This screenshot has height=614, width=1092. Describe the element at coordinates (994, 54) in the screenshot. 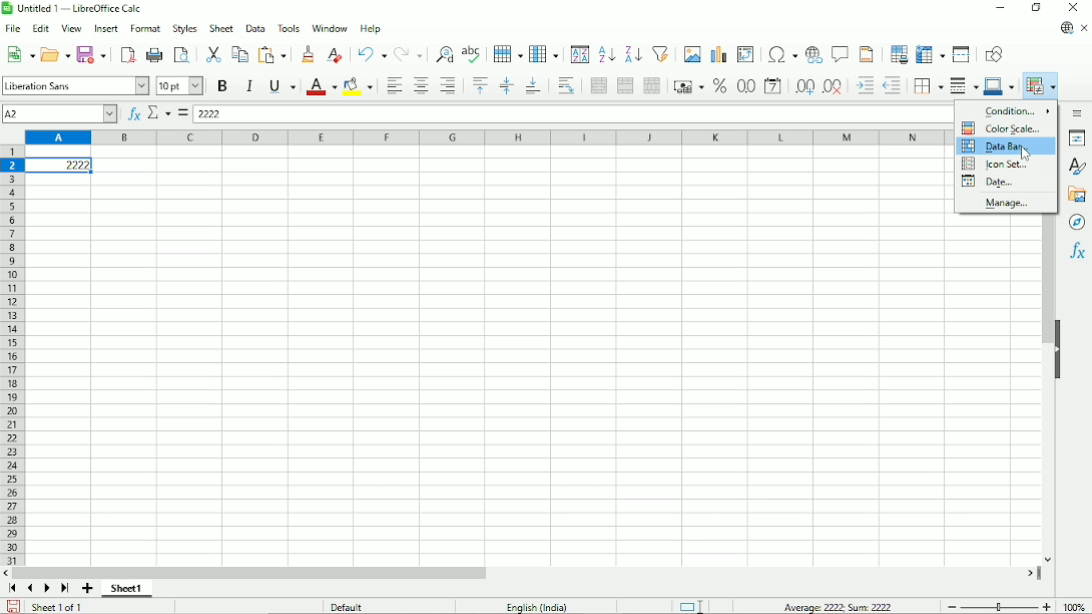

I see `Show draw functions` at that location.